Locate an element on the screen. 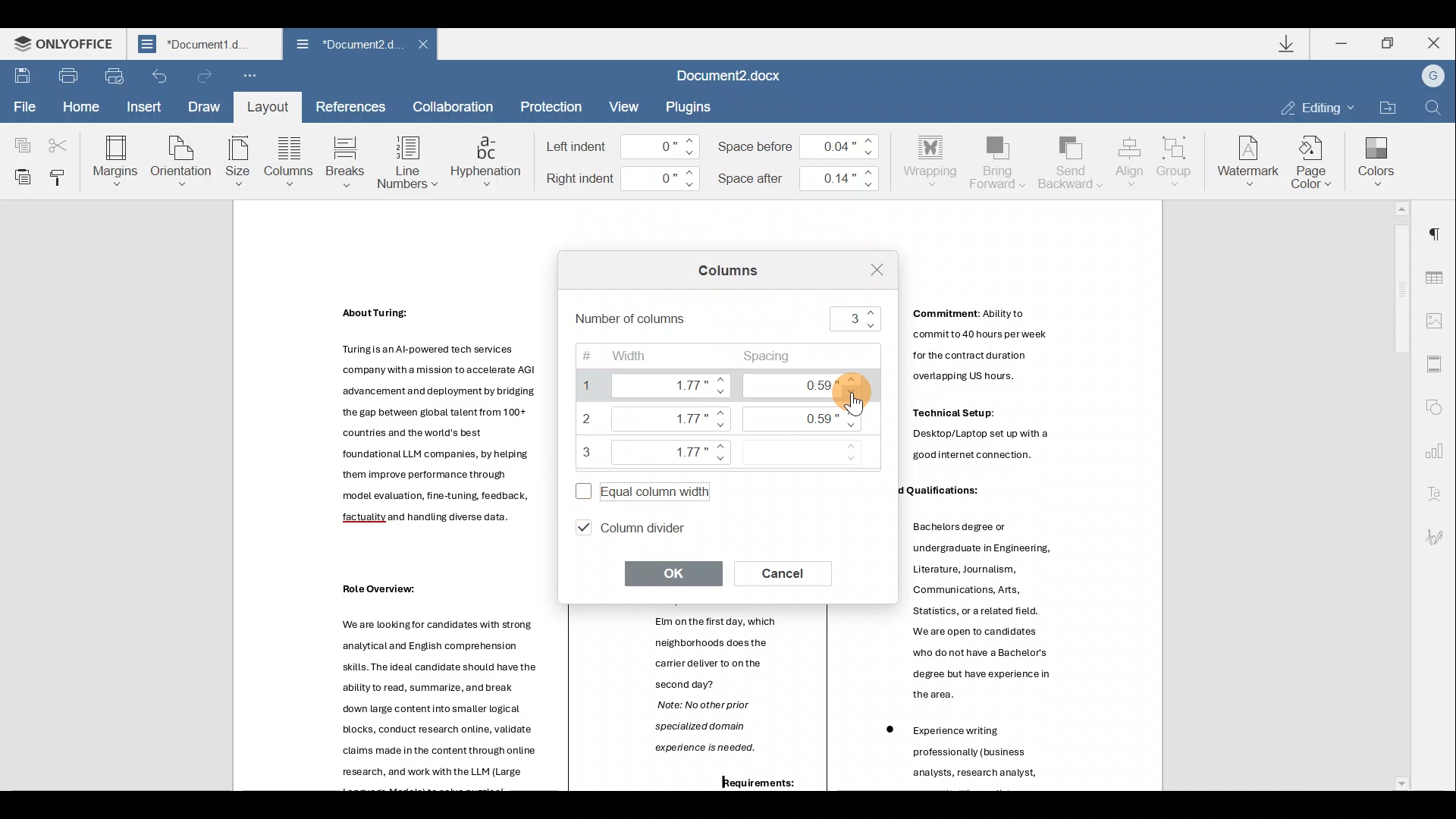  Margins is located at coordinates (114, 159).